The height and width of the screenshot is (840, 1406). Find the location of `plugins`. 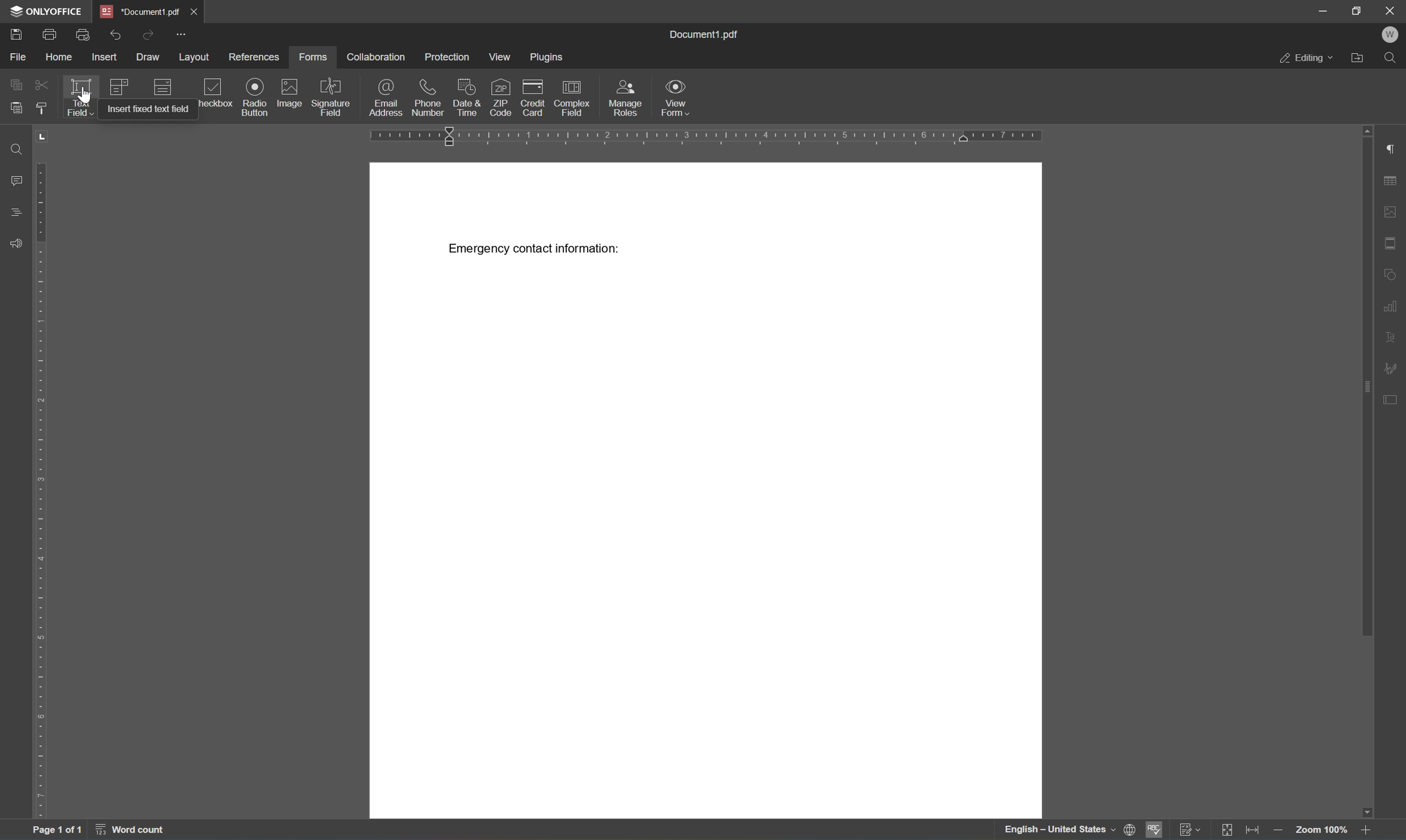

plugins is located at coordinates (545, 58).